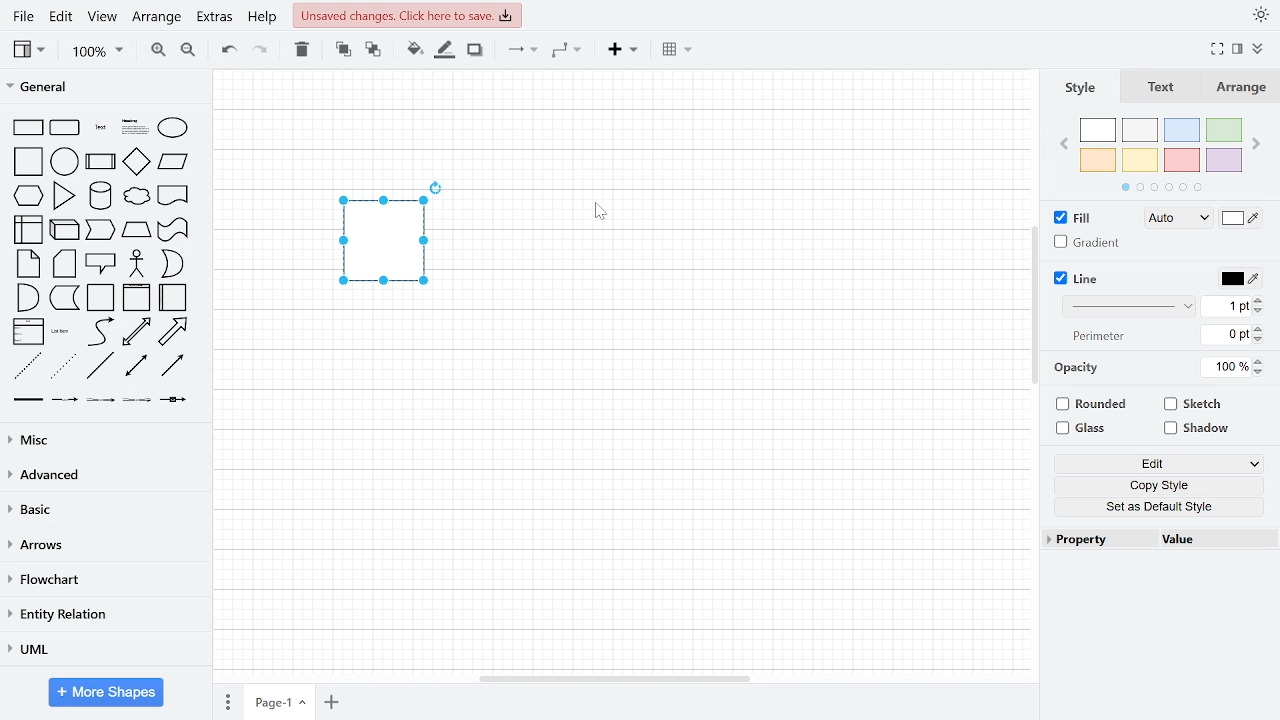  What do you see at coordinates (137, 331) in the screenshot?
I see `bidirectional arrow` at bounding box center [137, 331].